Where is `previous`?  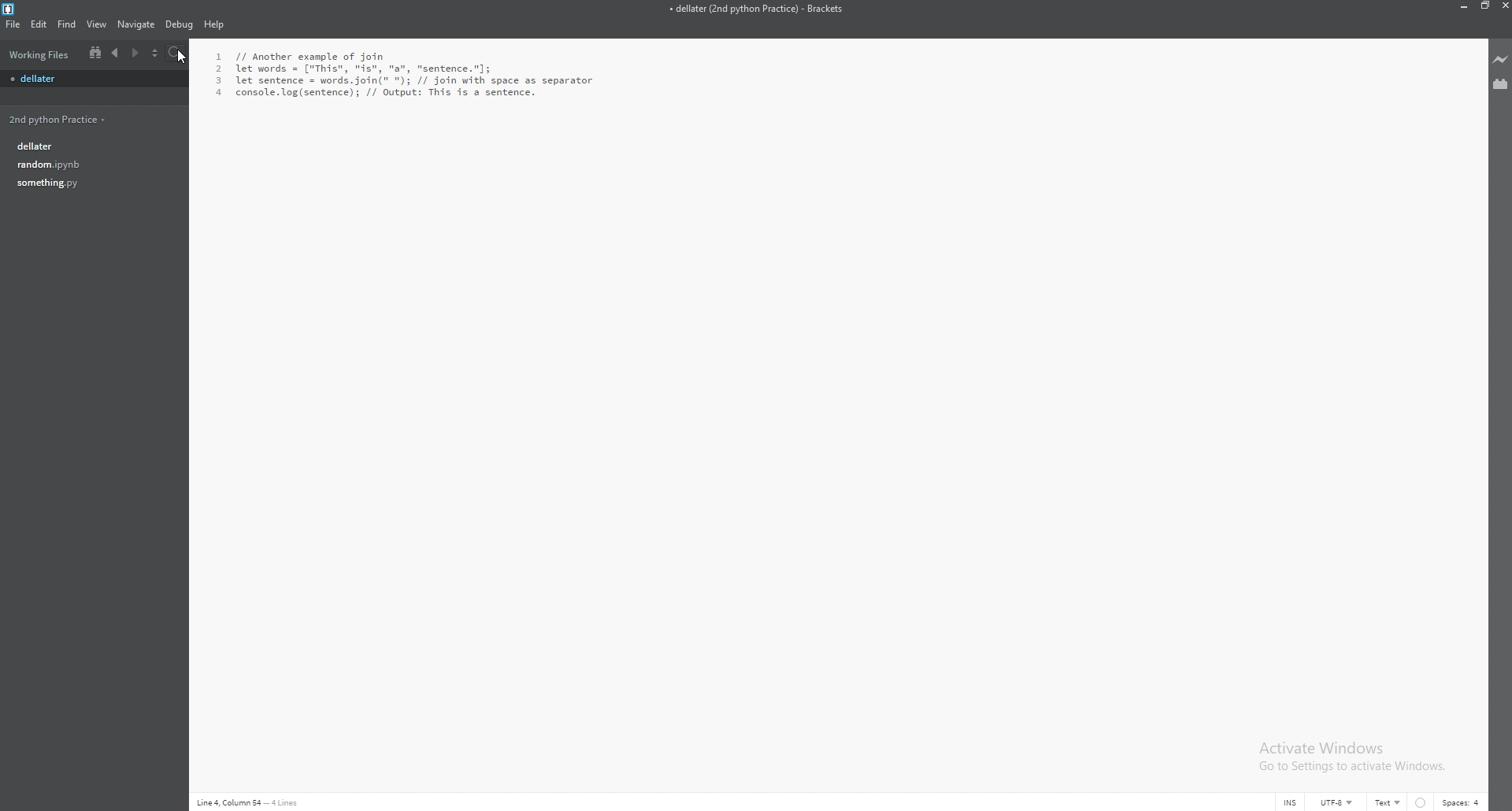
previous is located at coordinates (115, 53).